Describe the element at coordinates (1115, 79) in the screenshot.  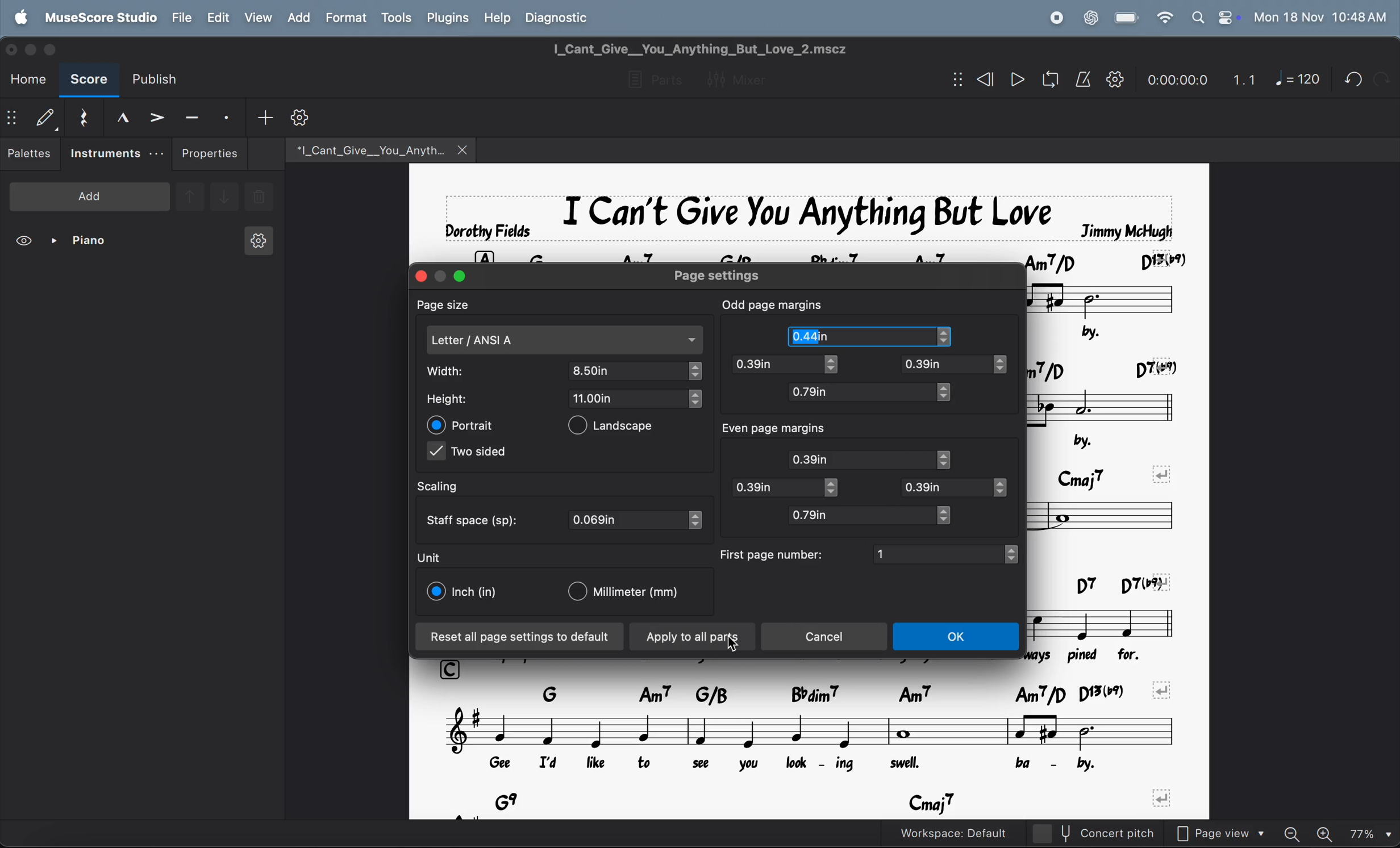
I see `playback setting` at that location.